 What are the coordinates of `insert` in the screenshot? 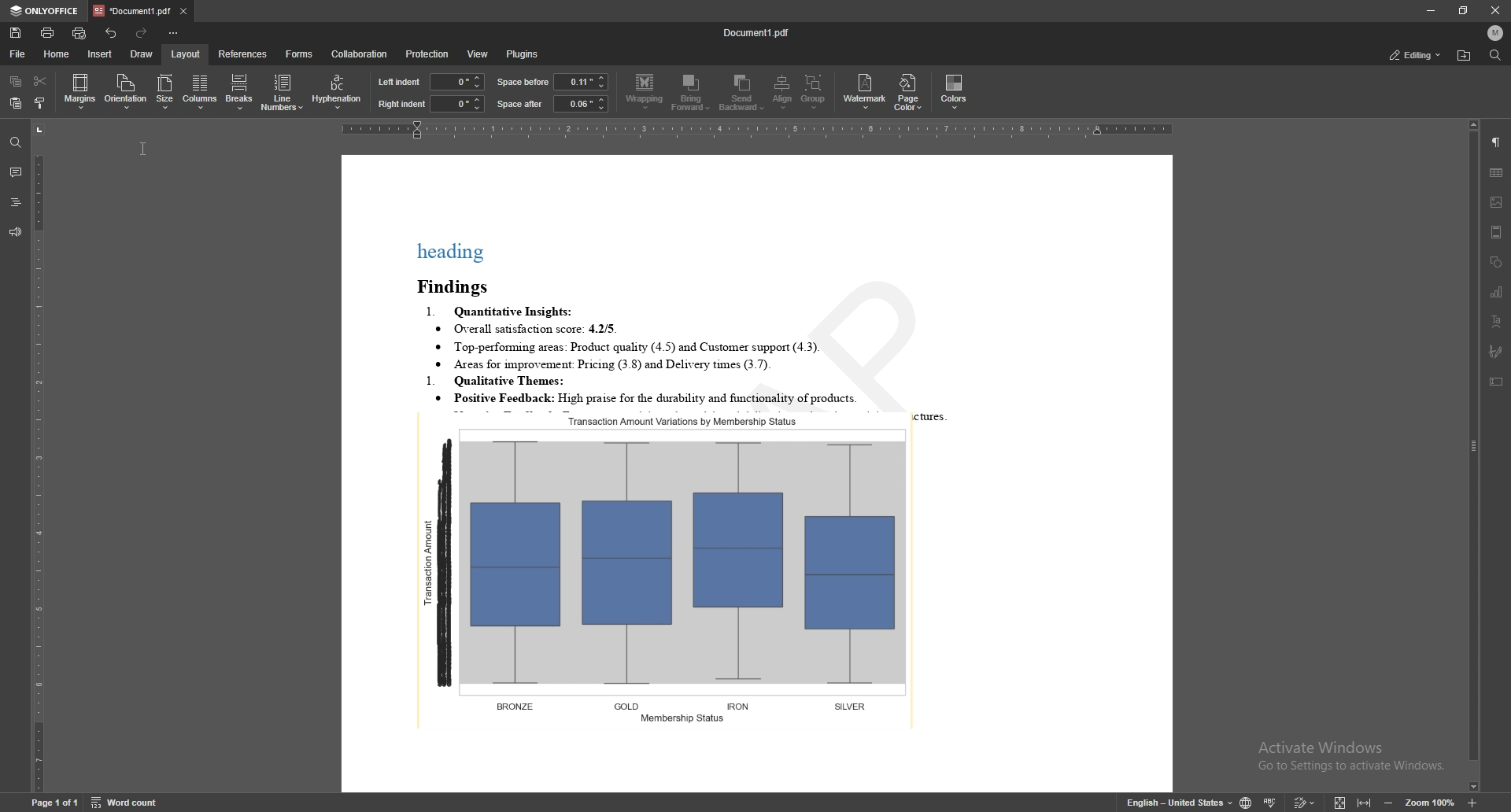 It's located at (101, 54).